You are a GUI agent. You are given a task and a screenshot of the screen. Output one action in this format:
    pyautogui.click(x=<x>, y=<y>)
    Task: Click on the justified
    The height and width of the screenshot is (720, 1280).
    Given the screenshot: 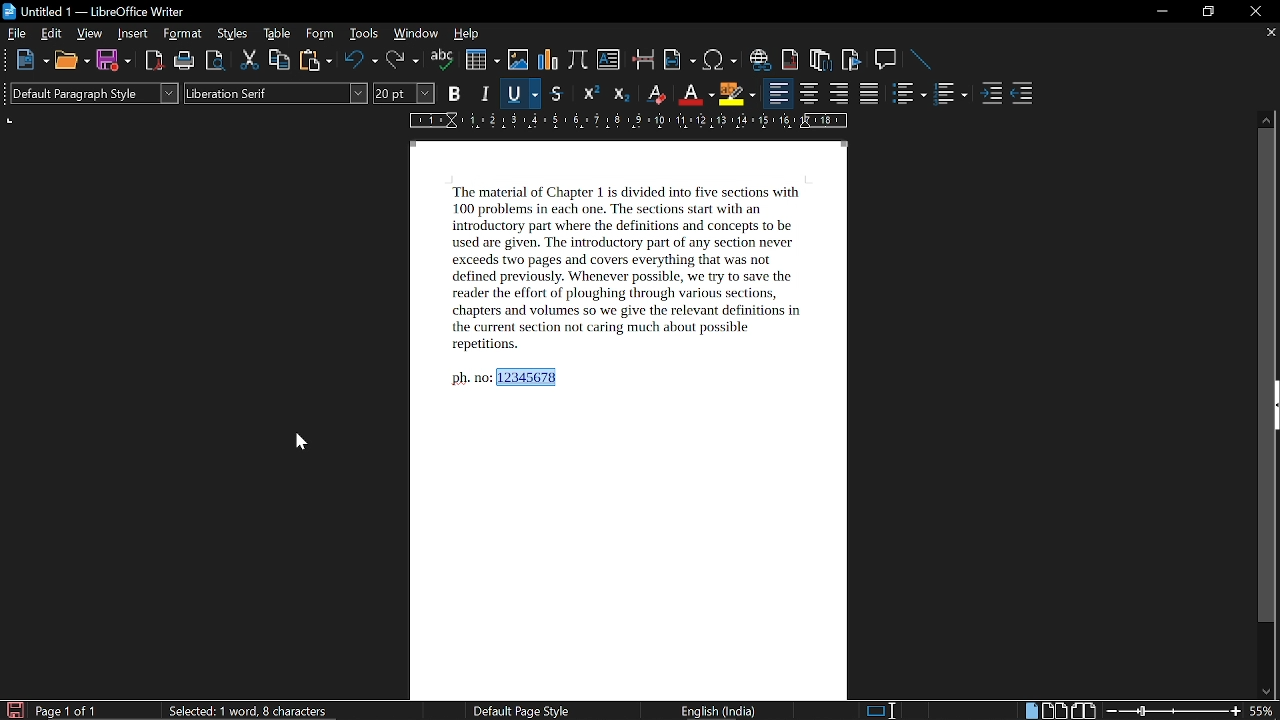 What is the action you would take?
    pyautogui.click(x=872, y=95)
    